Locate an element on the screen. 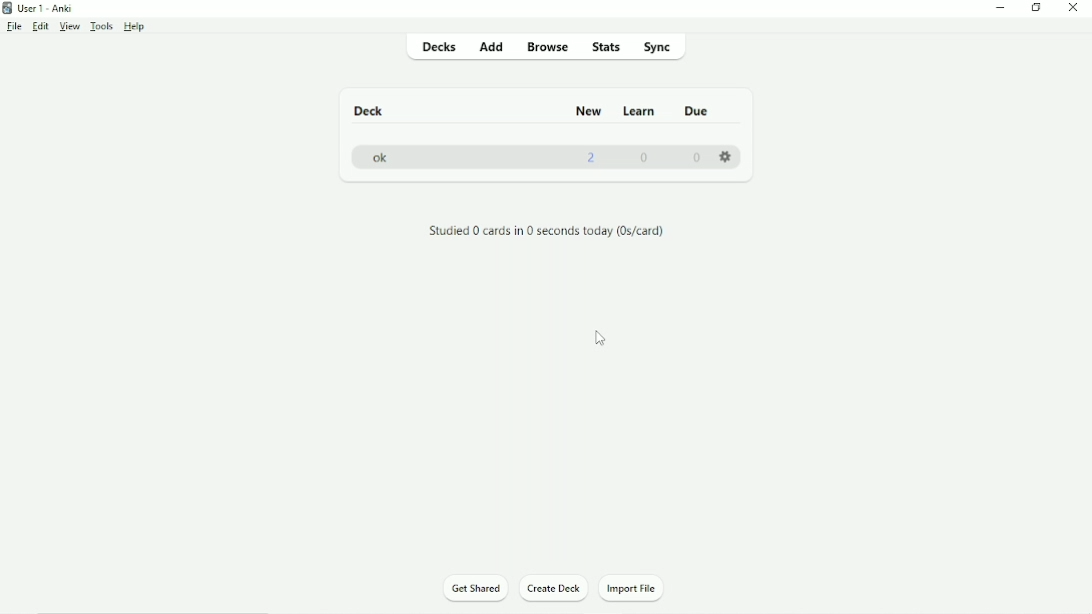  Get Shared is located at coordinates (475, 587).